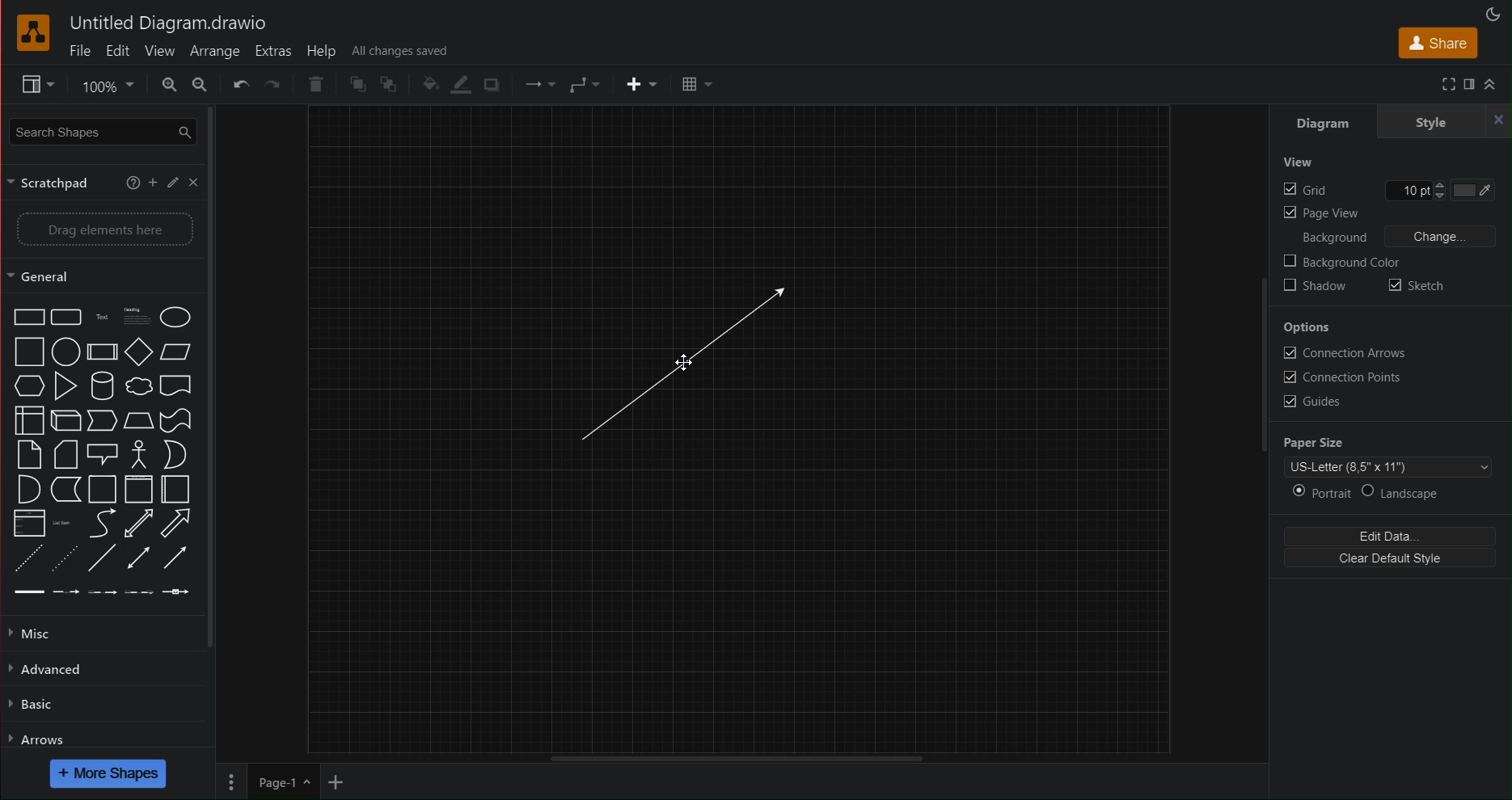 This screenshot has height=800, width=1512. Describe the element at coordinates (1307, 326) in the screenshot. I see `Options` at that location.